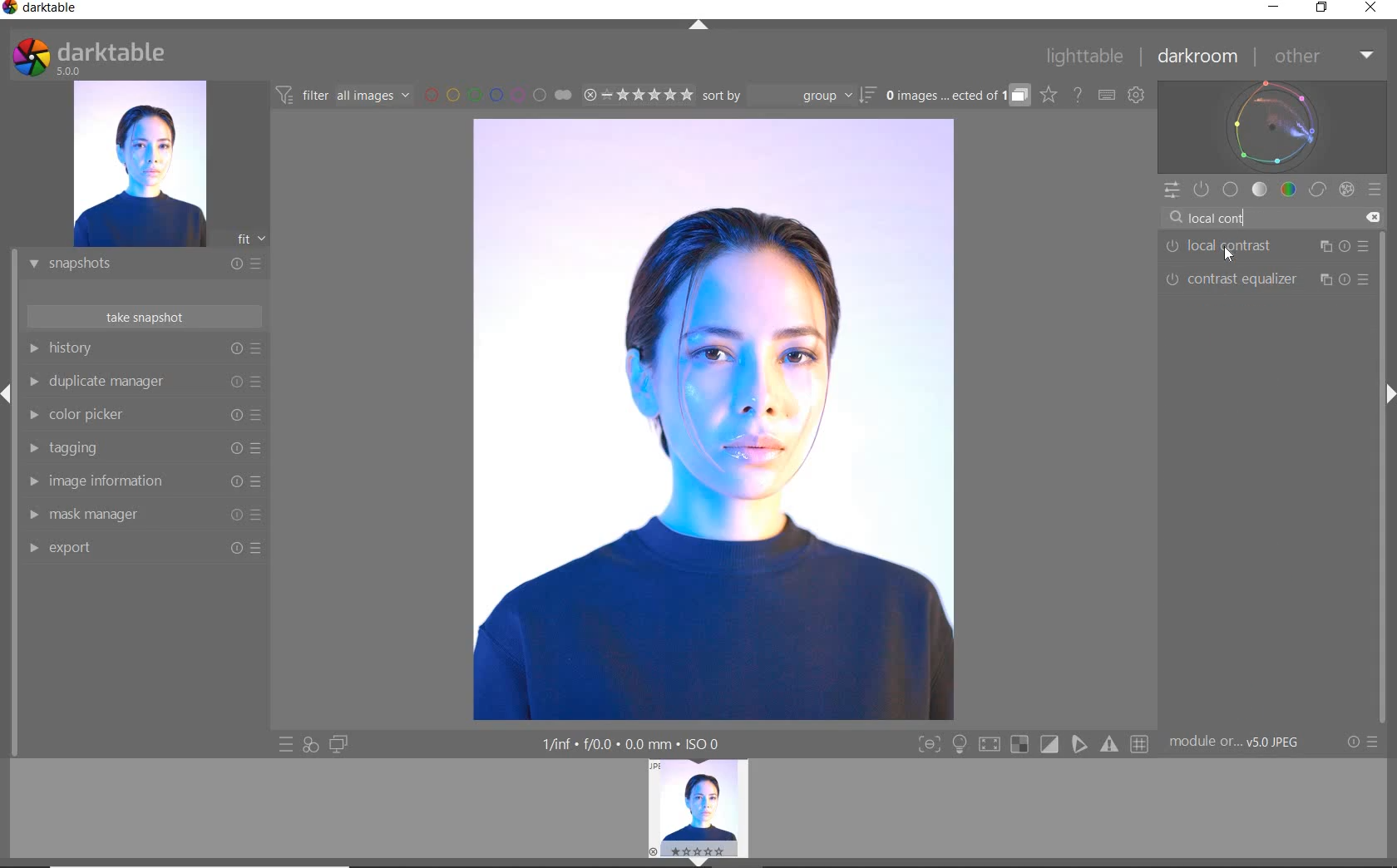 Image resolution: width=1397 pixels, height=868 pixels. What do you see at coordinates (1375, 189) in the screenshot?
I see `PRESETS` at bounding box center [1375, 189].